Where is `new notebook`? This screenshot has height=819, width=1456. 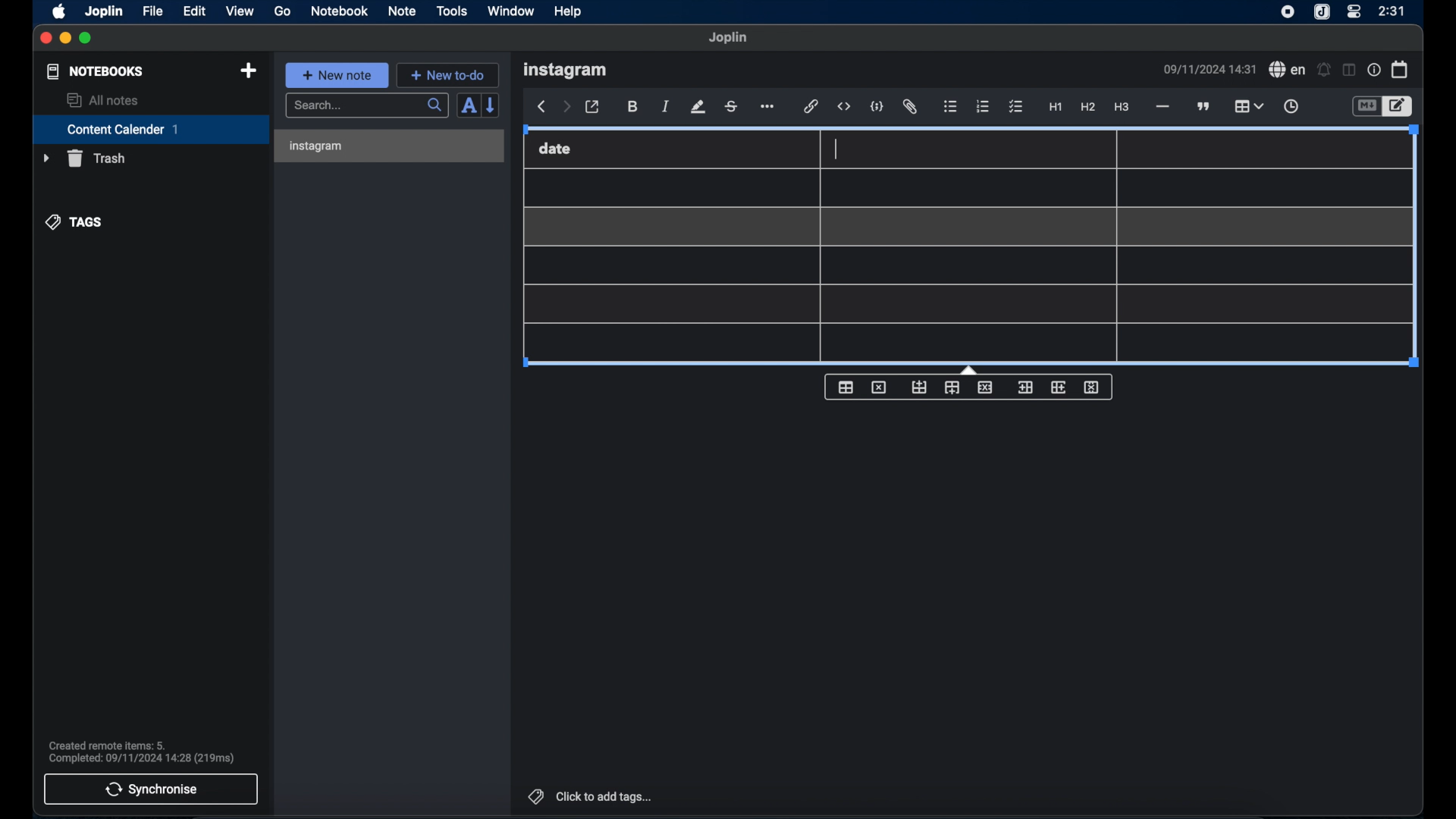 new notebook is located at coordinates (249, 71).